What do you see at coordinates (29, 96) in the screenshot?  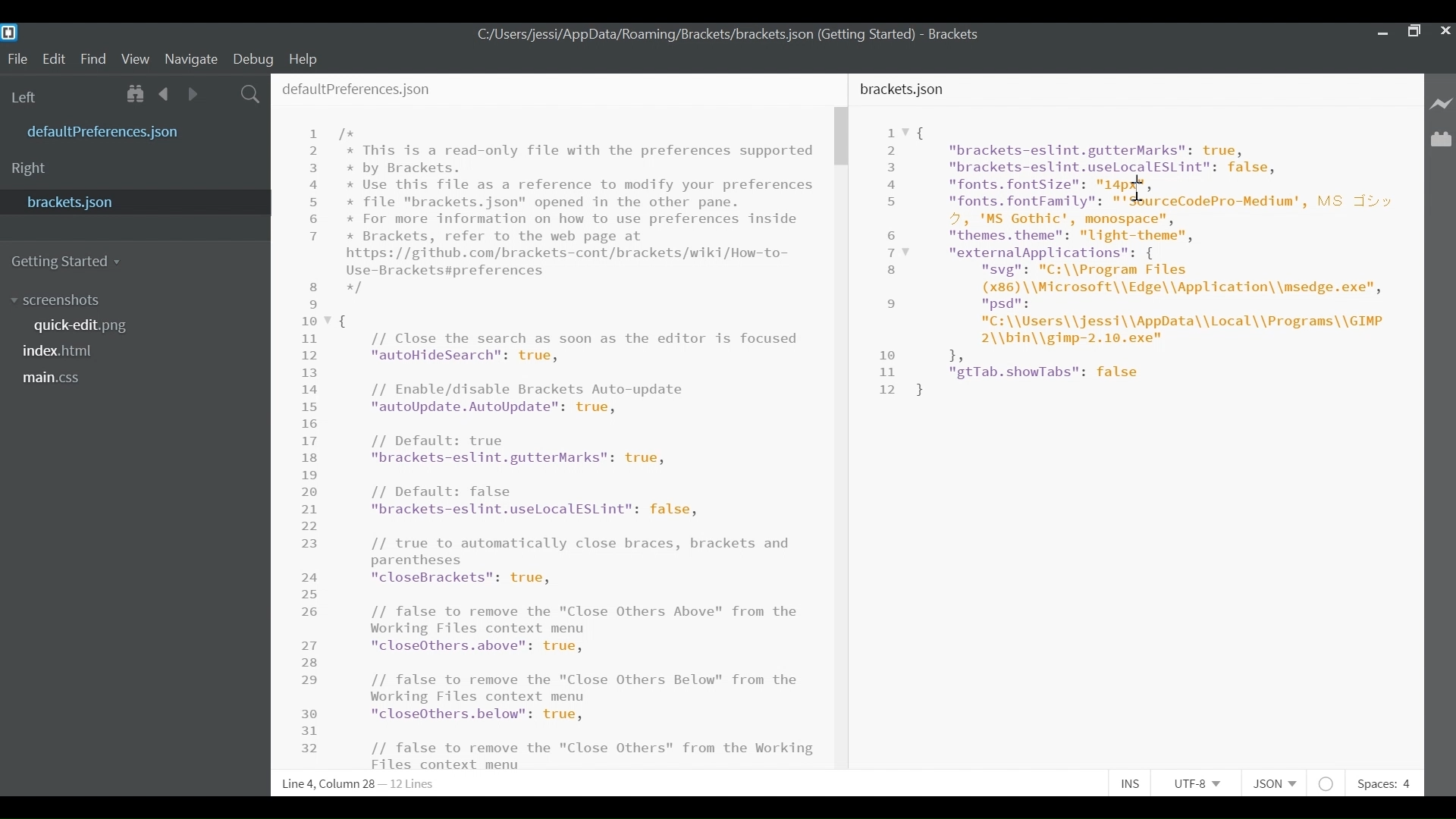 I see `Left` at bounding box center [29, 96].